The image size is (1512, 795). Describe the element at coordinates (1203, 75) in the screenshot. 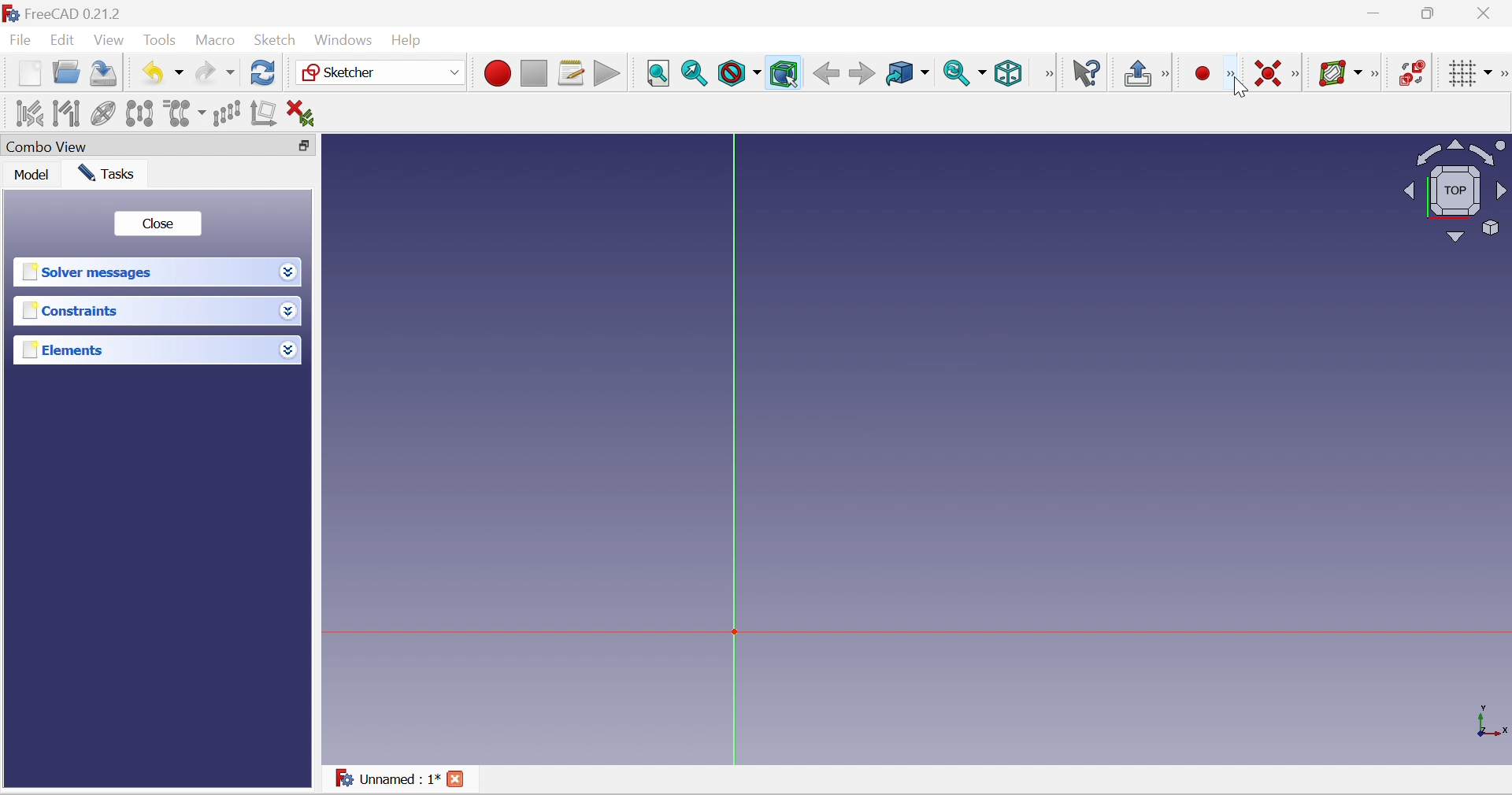

I see `Micro recording` at that location.